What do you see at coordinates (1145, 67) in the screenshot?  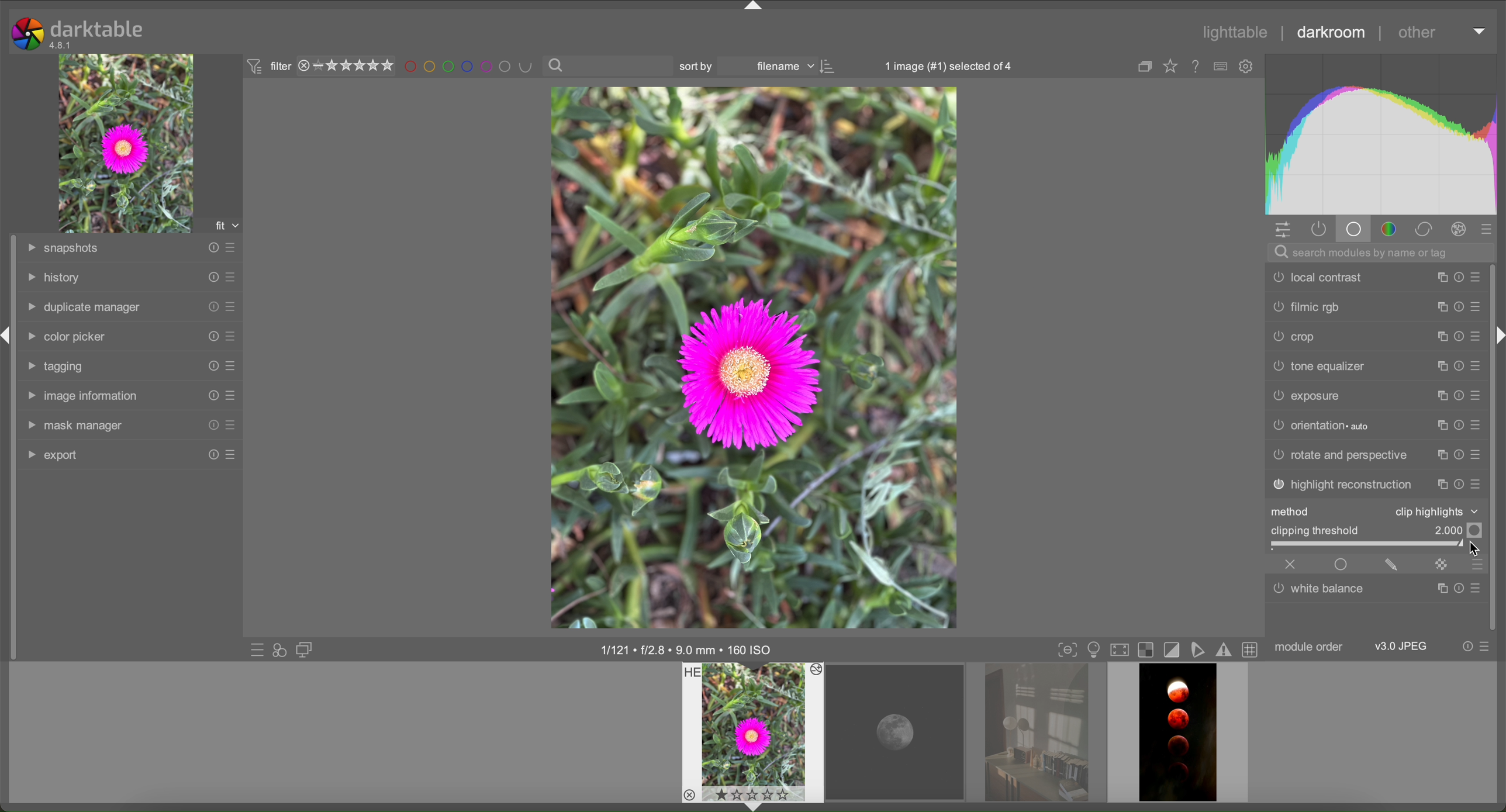 I see `copy` at bounding box center [1145, 67].